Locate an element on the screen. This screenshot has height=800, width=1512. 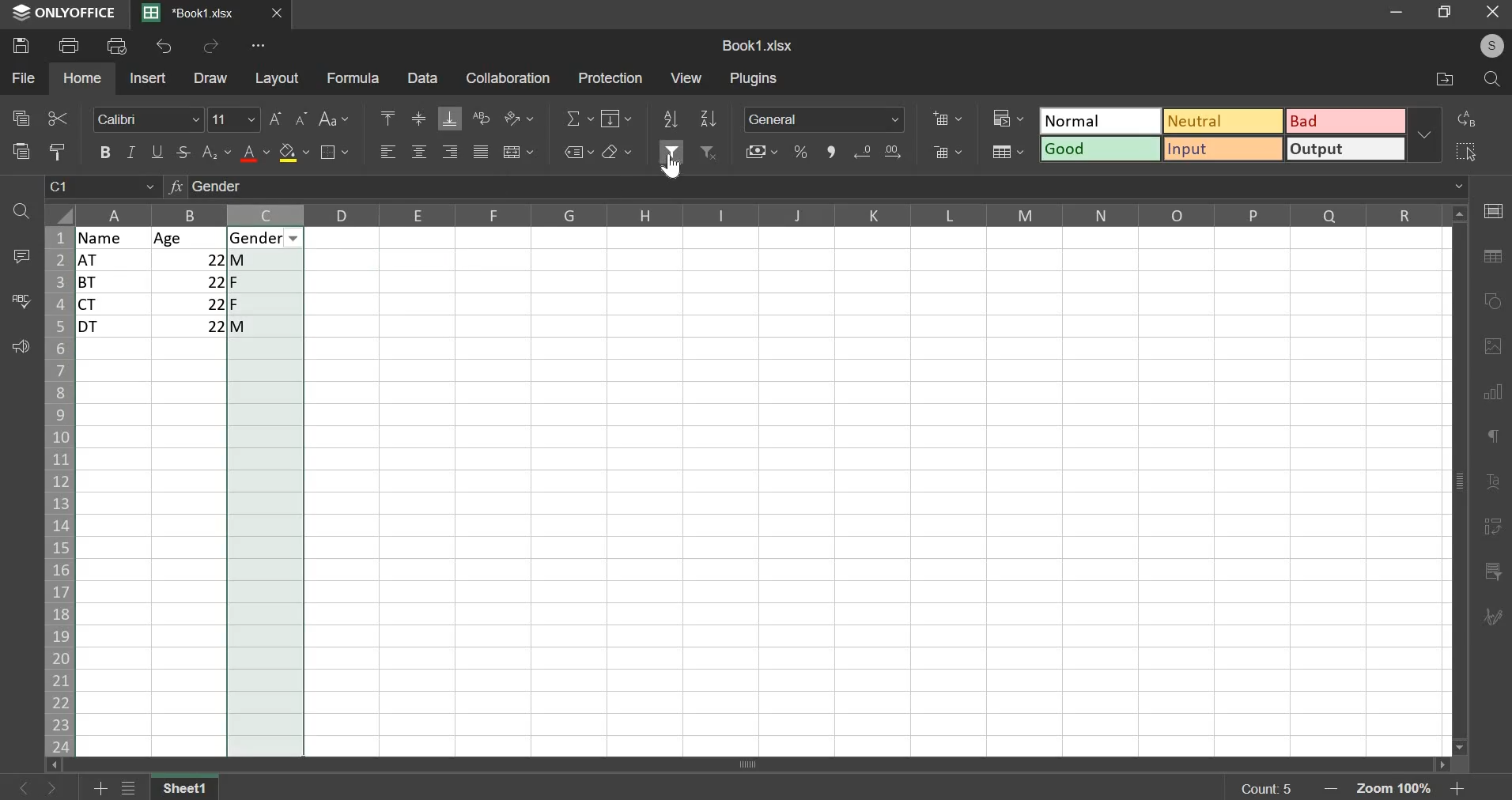
rows is located at coordinates (57, 492).